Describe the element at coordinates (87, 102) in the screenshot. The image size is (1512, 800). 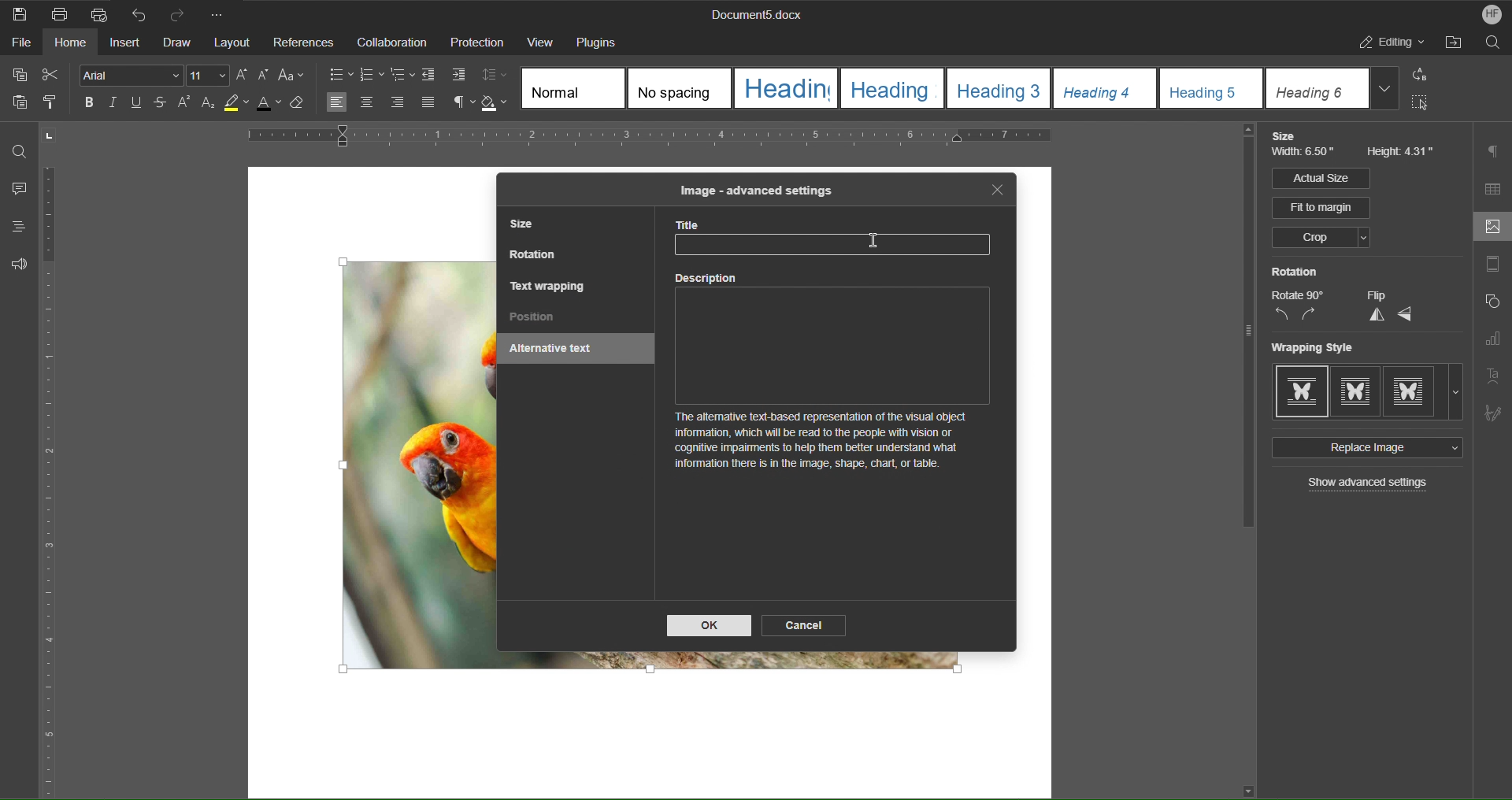
I see `Bold` at that location.